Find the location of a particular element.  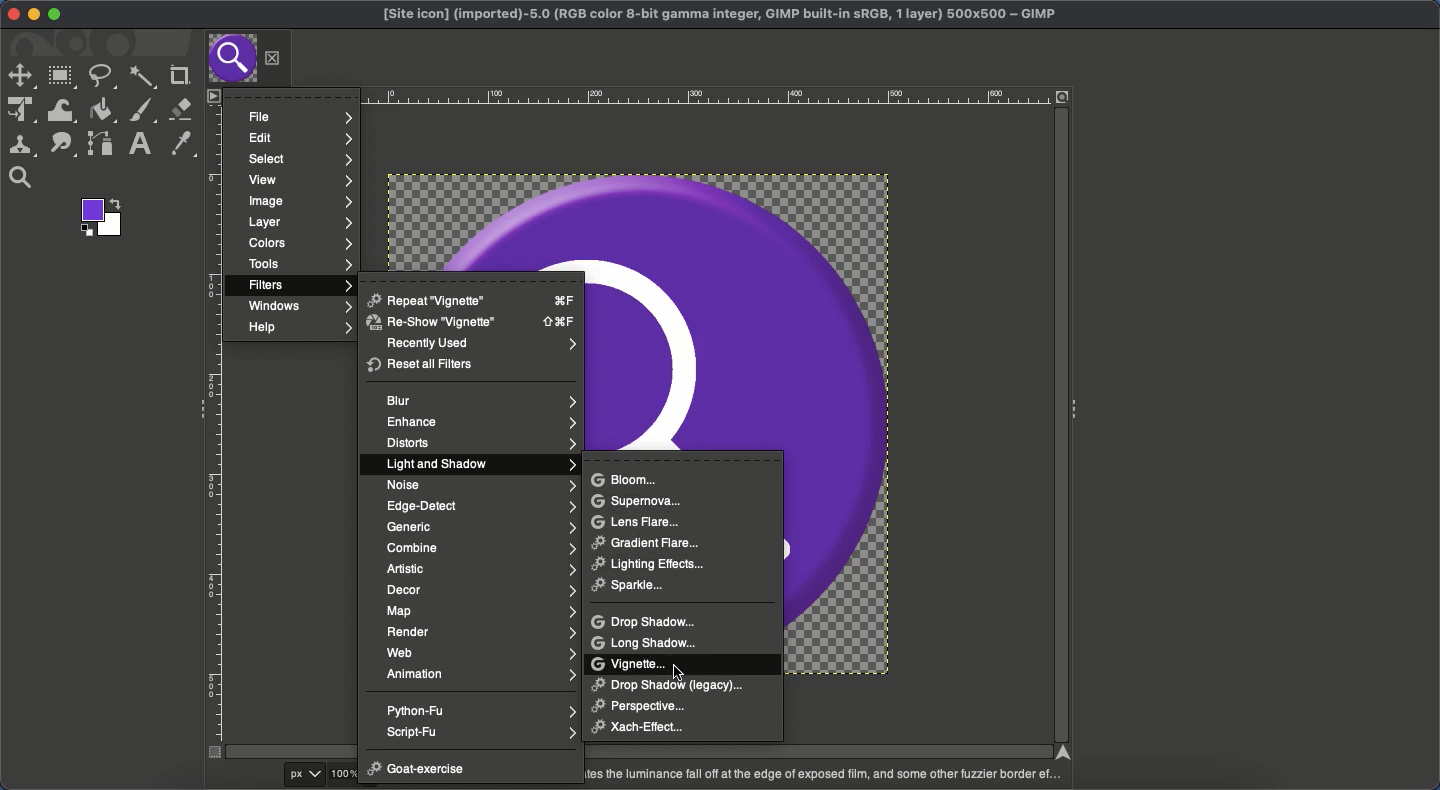

Fill color is located at coordinates (102, 110).